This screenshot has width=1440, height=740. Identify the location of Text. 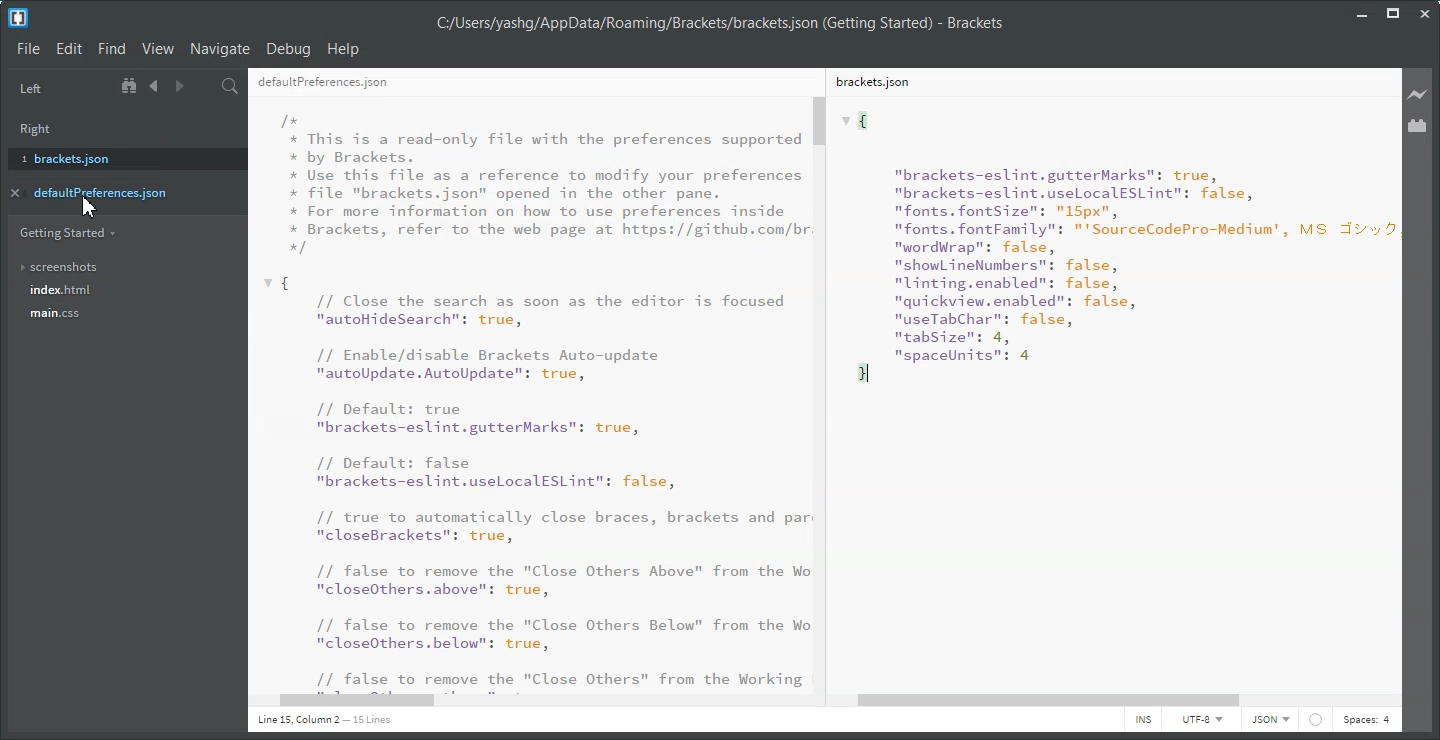
(719, 24).